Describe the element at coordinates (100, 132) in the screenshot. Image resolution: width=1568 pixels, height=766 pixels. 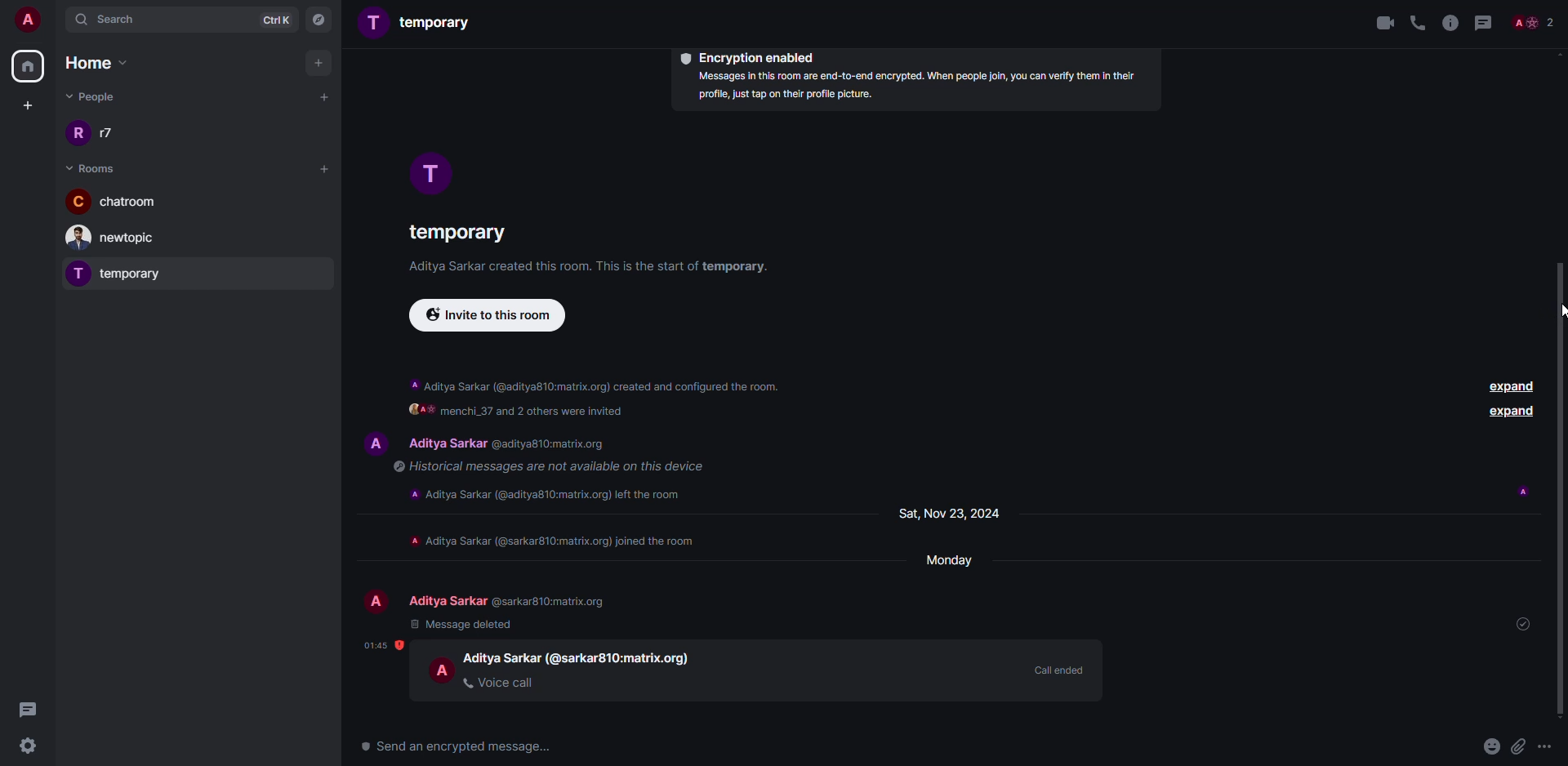
I see `r17` at that location.